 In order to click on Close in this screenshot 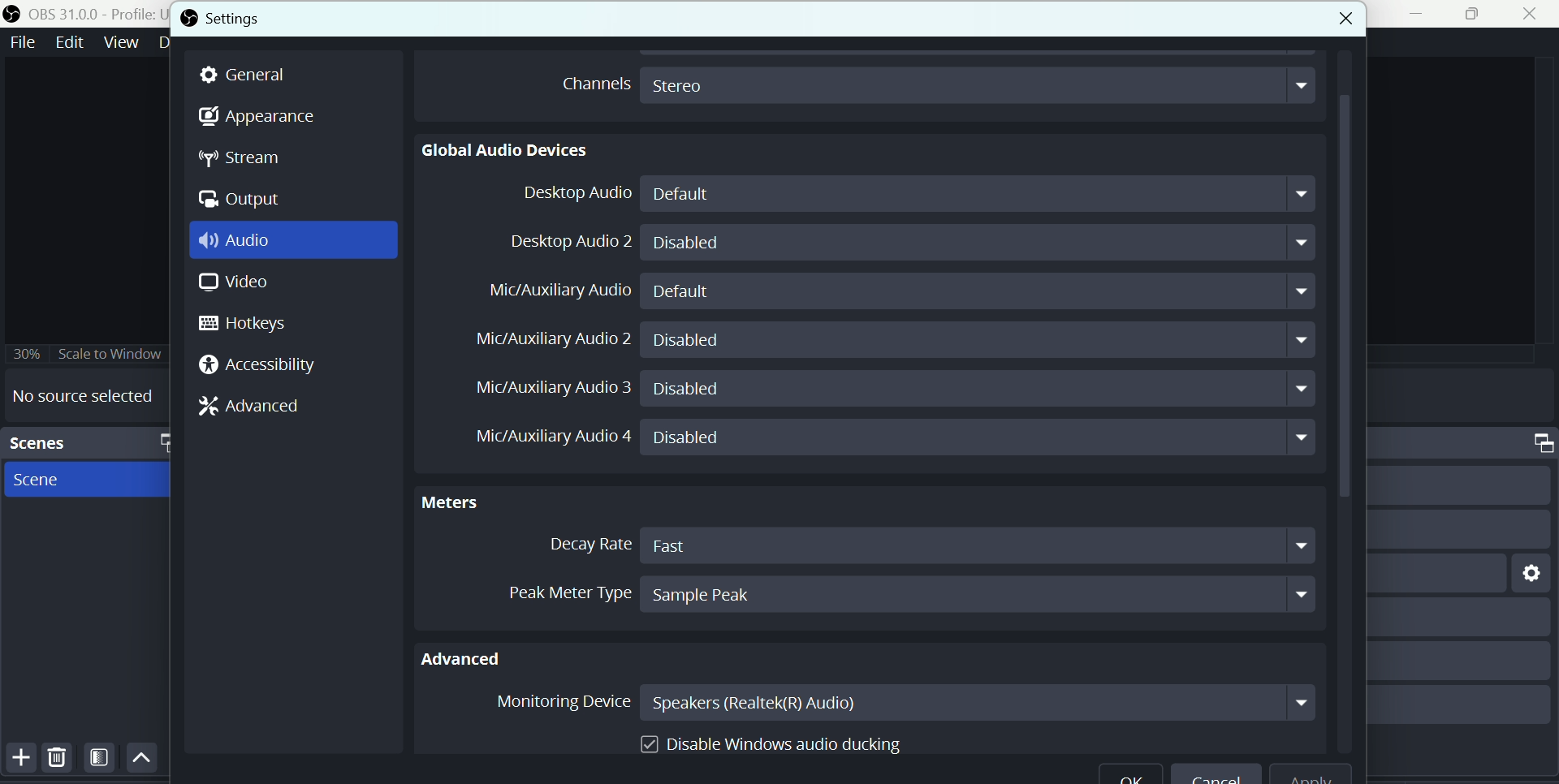, I will do `click(1530, 15)`.